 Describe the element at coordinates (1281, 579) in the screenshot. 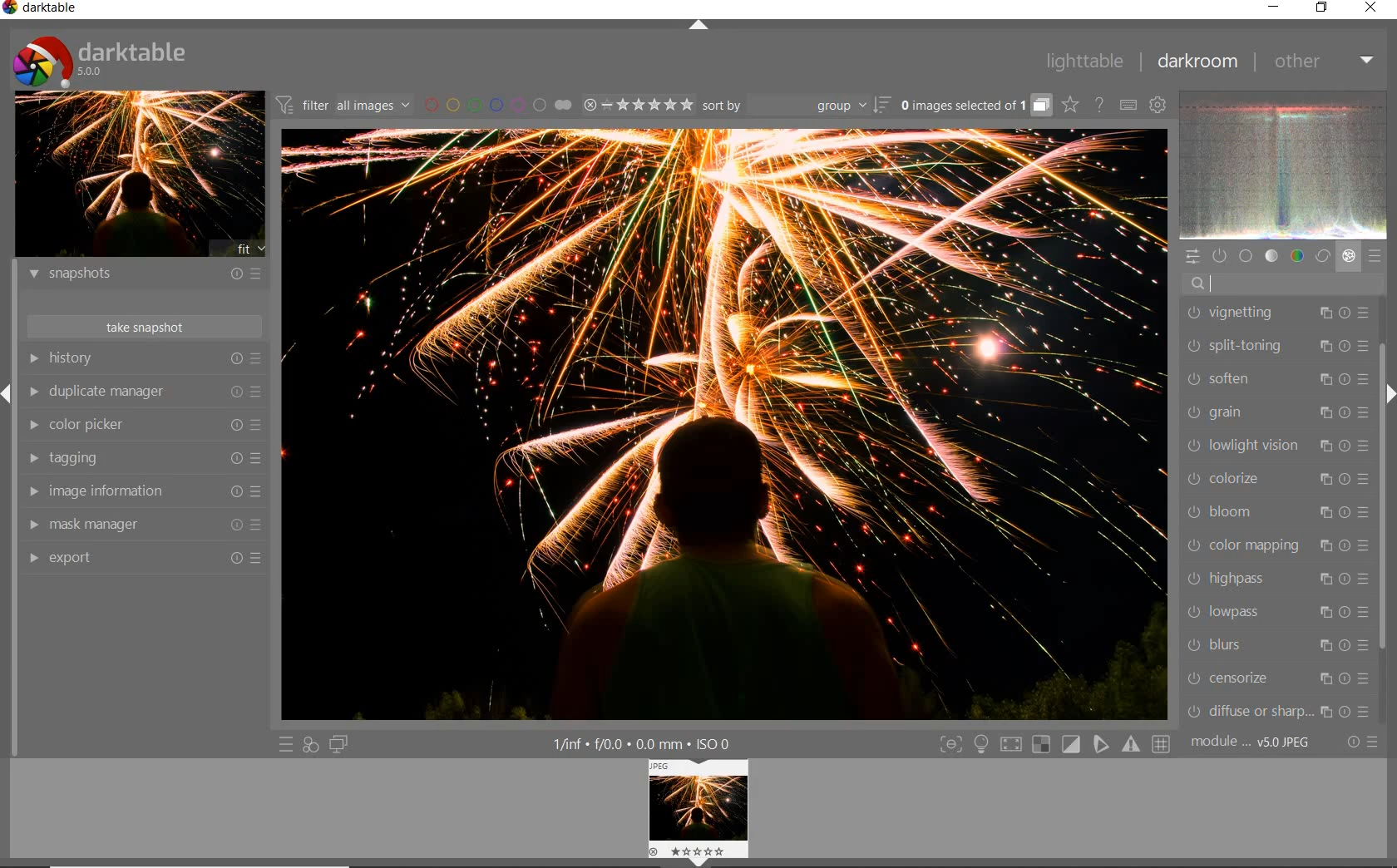

I see `highpass` at that location.